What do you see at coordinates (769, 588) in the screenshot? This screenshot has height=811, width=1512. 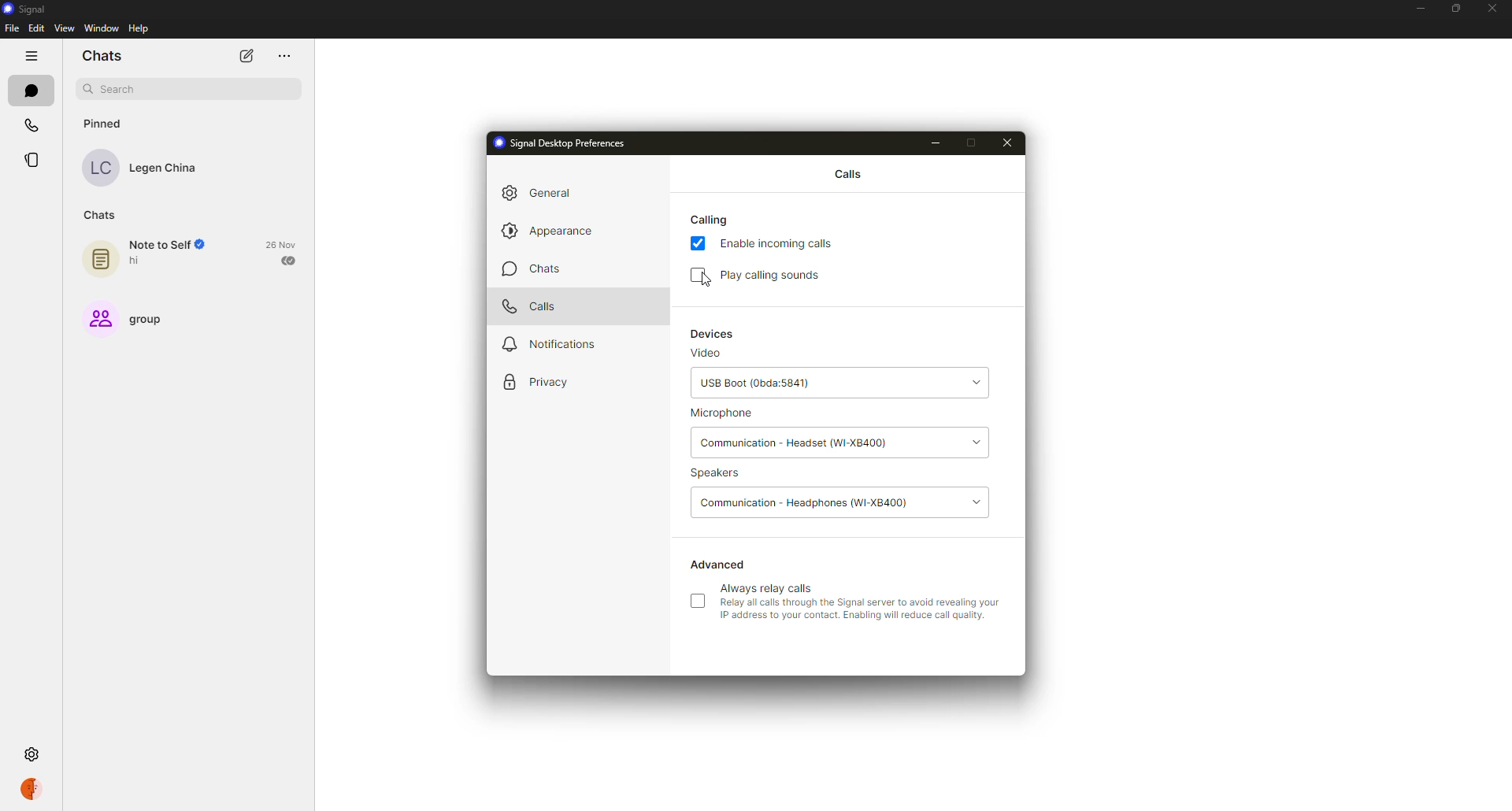 I see `always relay calls` at bounding box center [769, 588].